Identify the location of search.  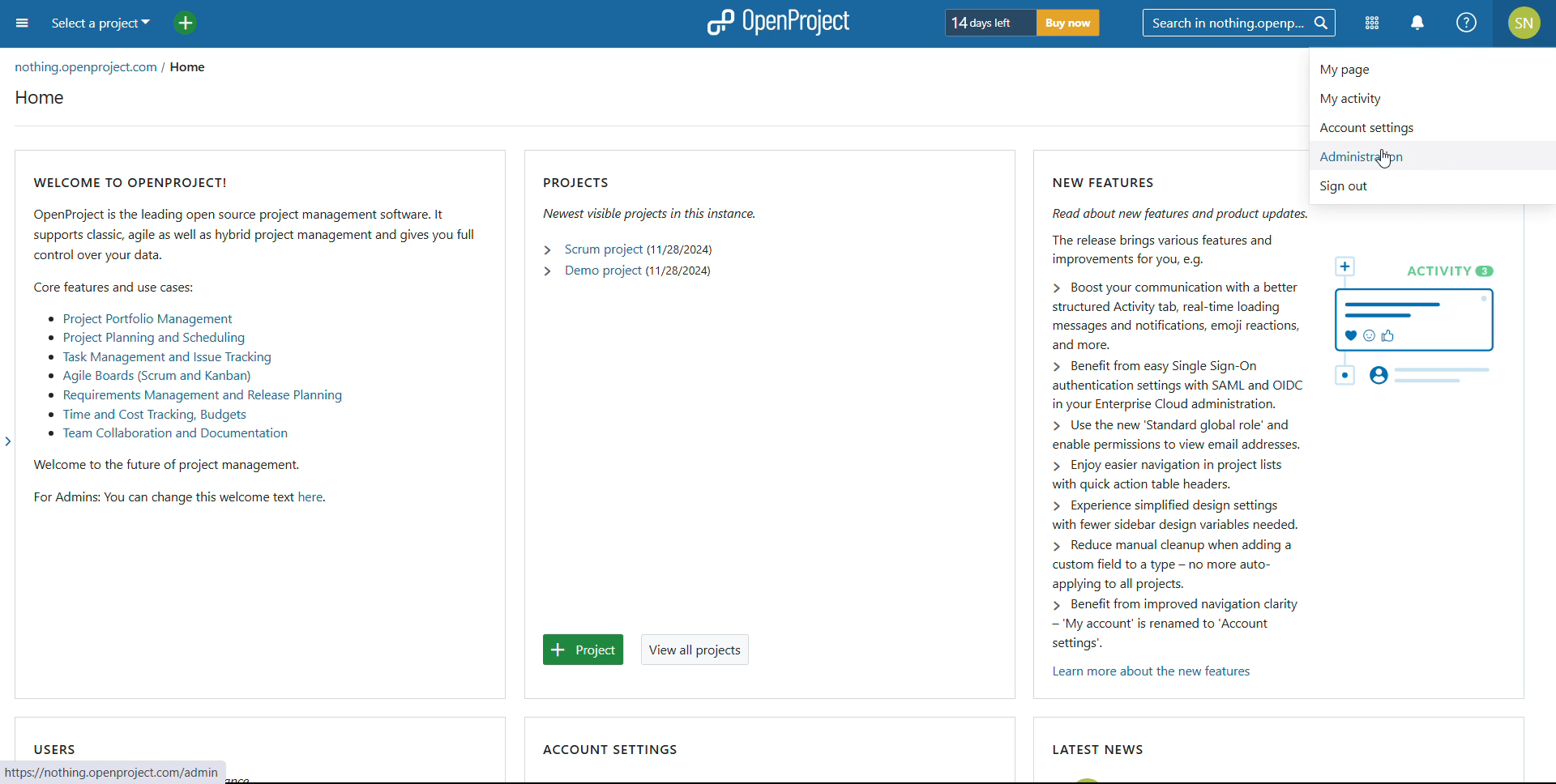
(1238, 23).